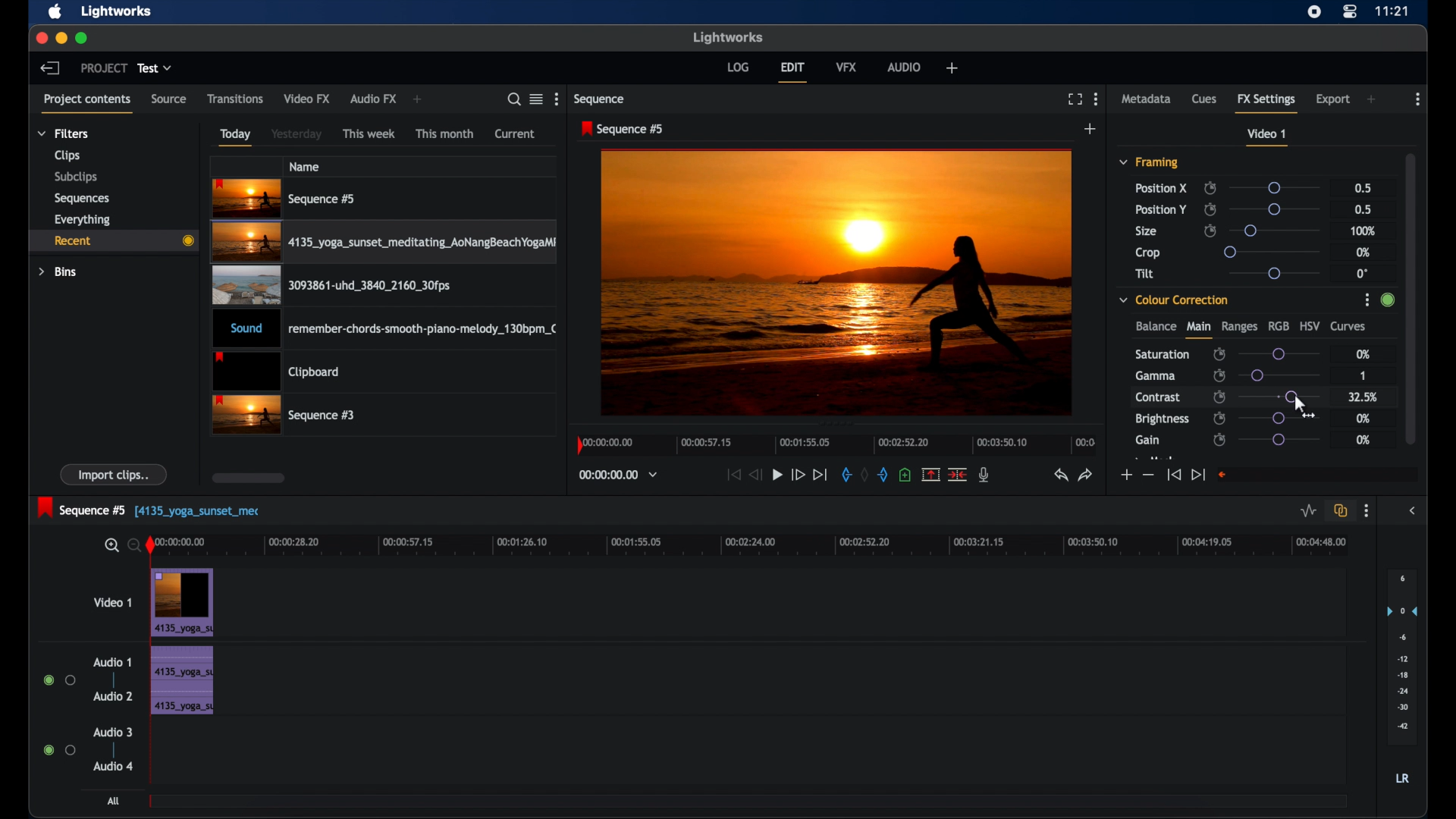 The height and width of the screenshot is (819, 1456). I want to click on playhead, so click(151, 546).